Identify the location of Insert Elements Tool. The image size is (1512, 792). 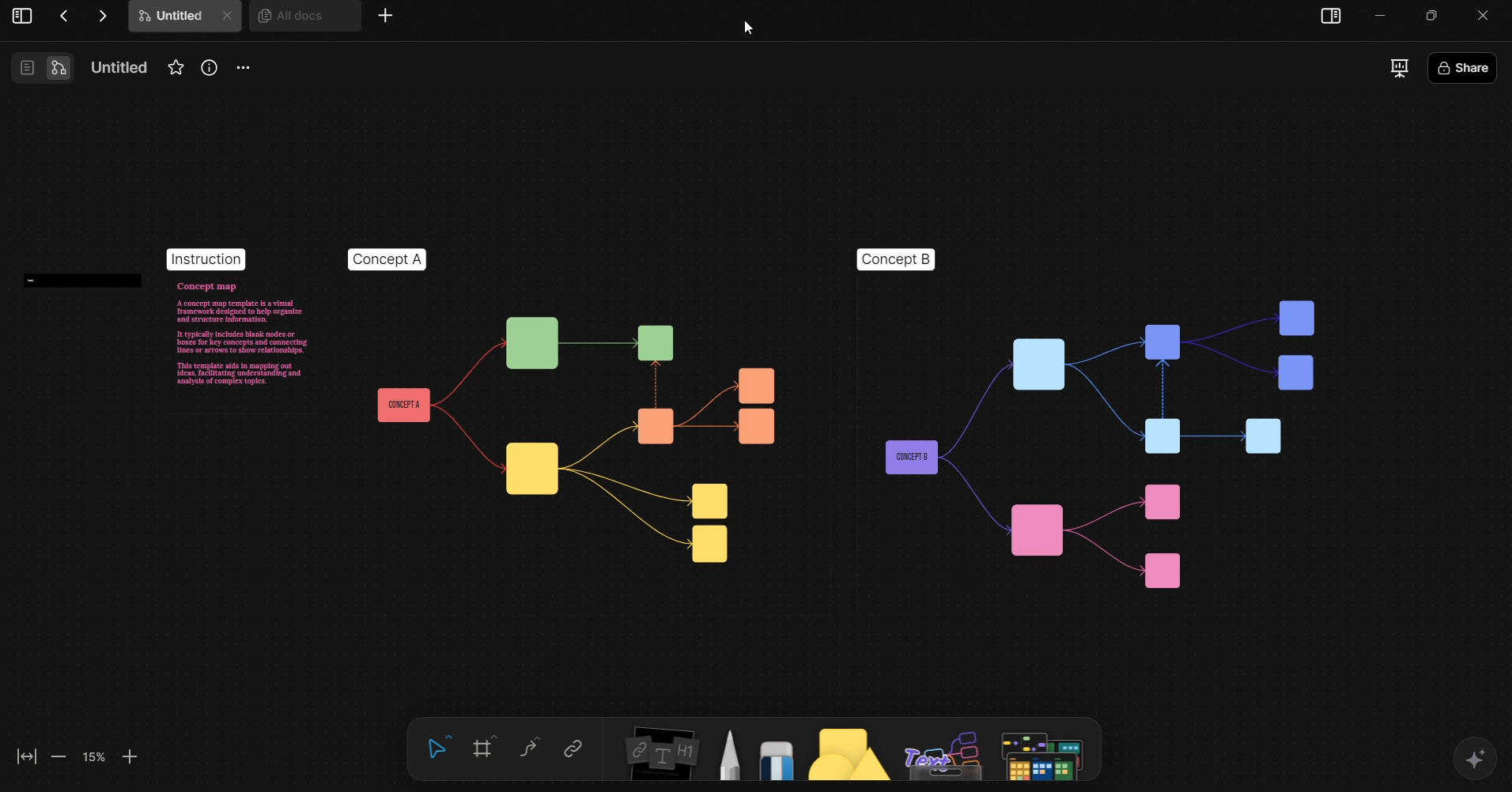
(659, 756).